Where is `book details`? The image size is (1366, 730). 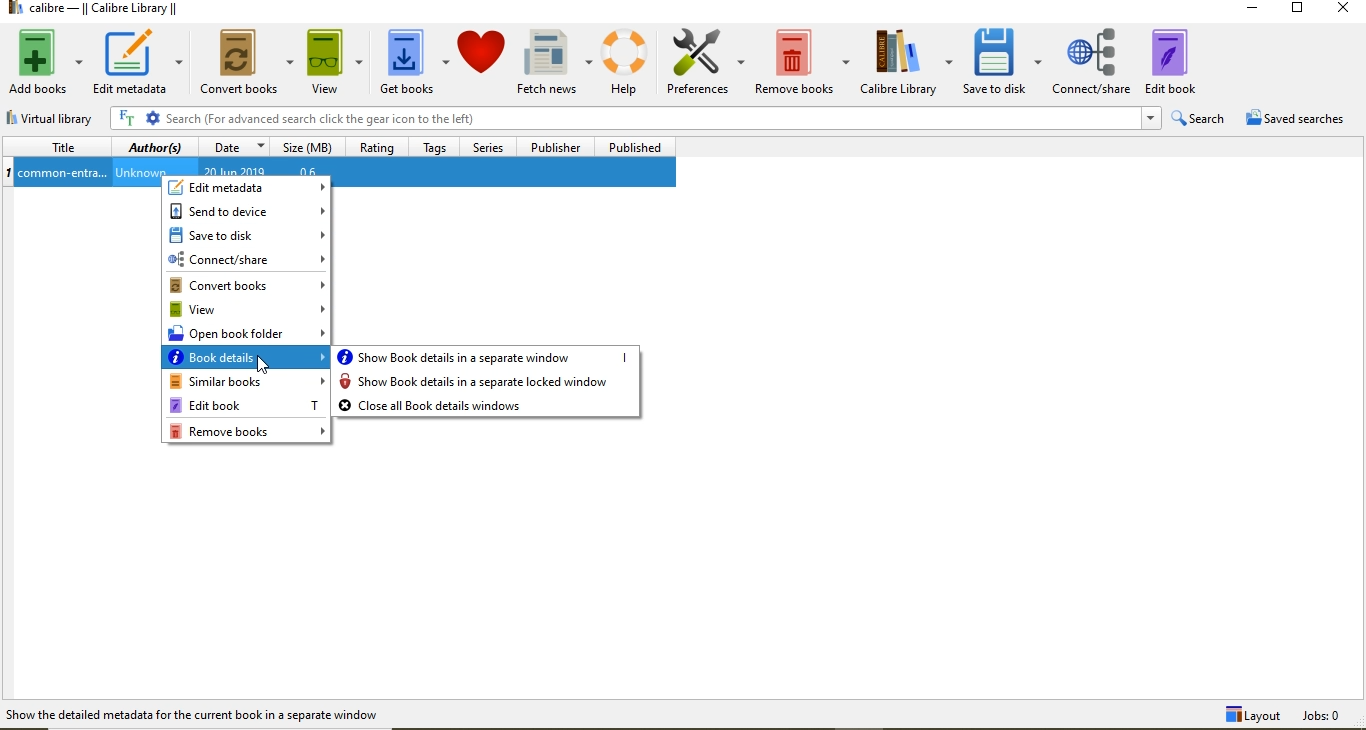 book details is located at coordinates (247, 360).